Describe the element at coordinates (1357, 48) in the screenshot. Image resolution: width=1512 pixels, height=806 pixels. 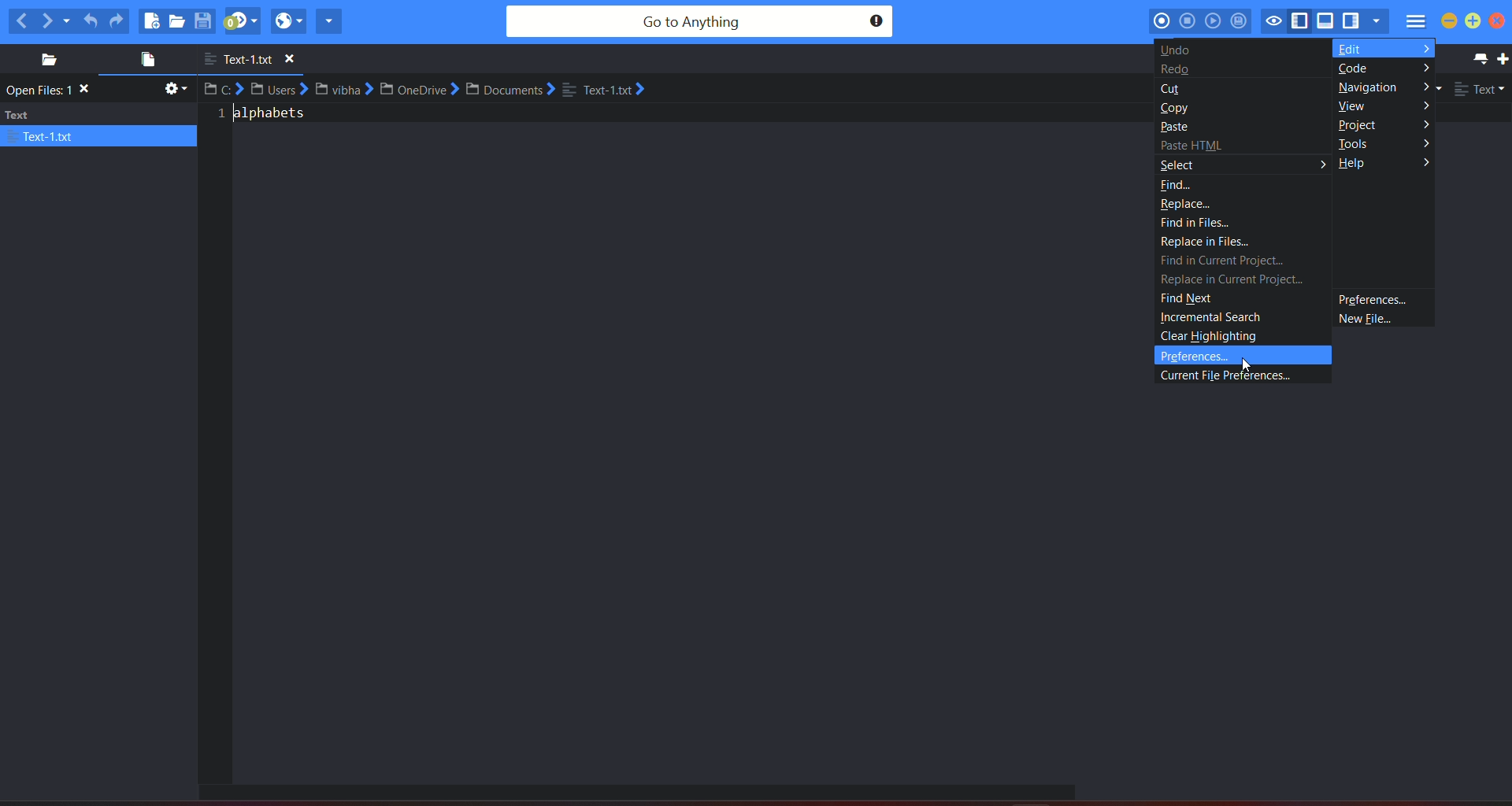
I see `edit` at that location.